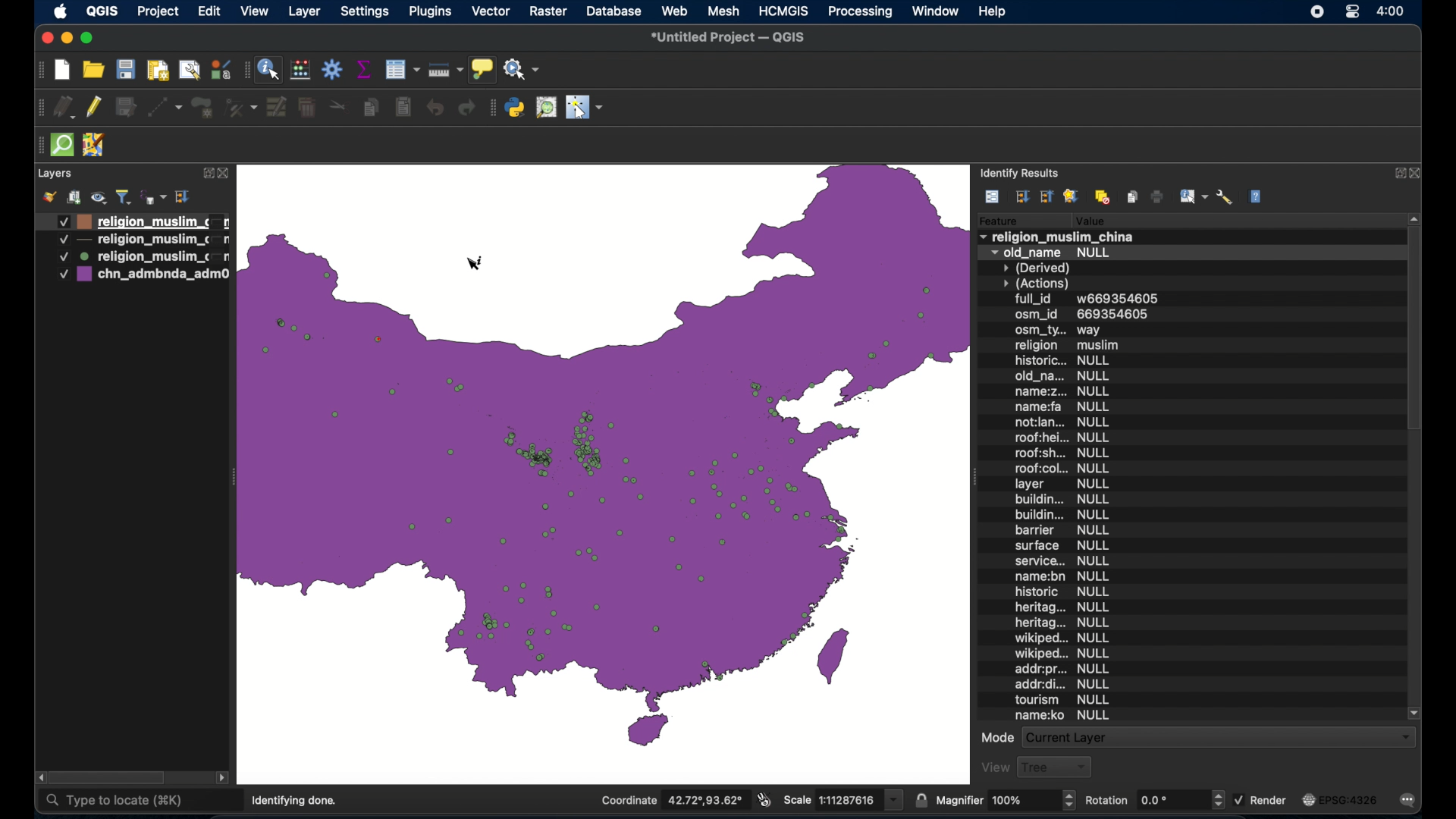 This screenshot has width=1456, height=819. Describe the element at coordinates (585, 108) in the screenshot. I see `switches mouse to configurable pointer` at that location.